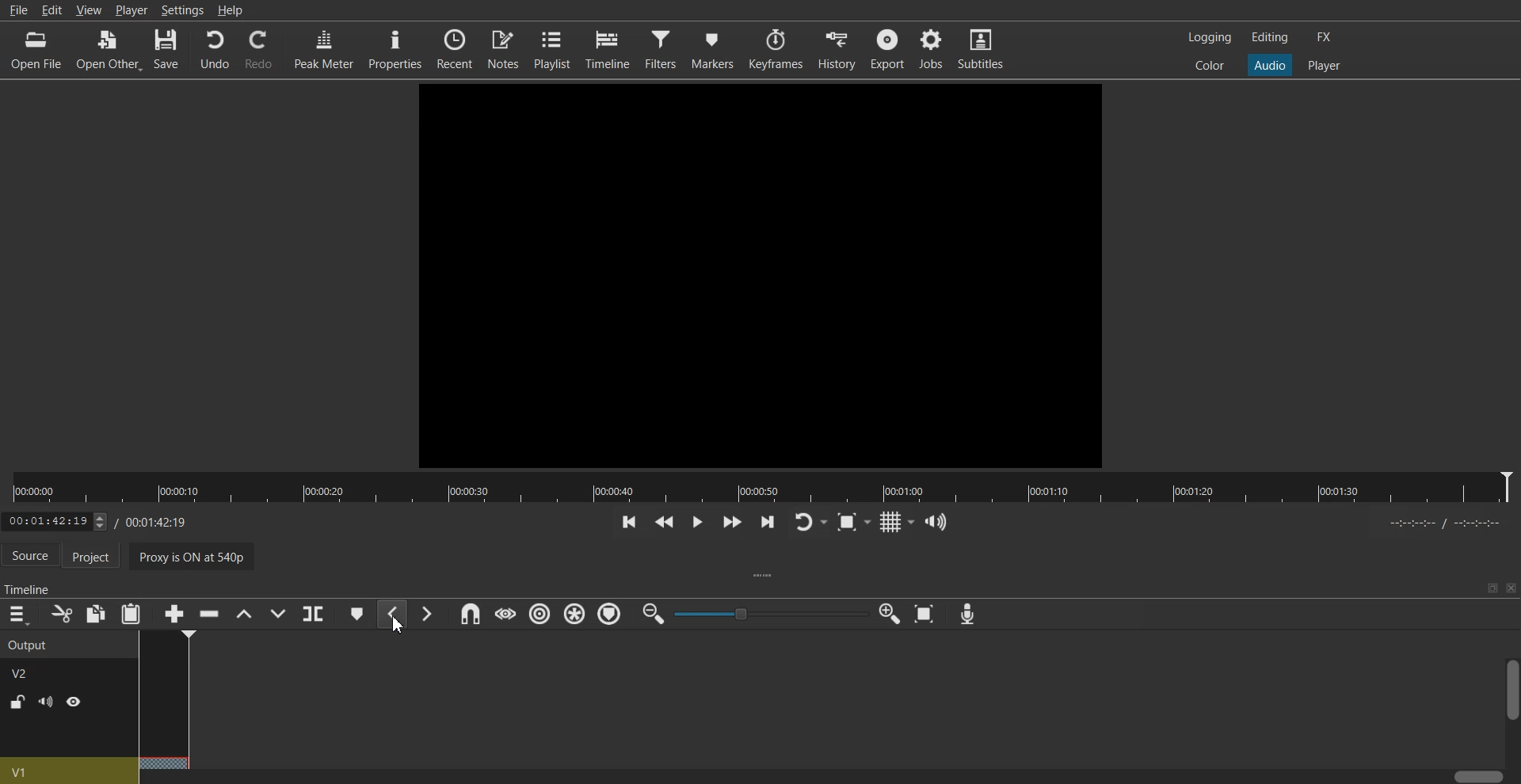 This screenshot has height=784, width=1521. I want to click on Settings, so click(183, 10).